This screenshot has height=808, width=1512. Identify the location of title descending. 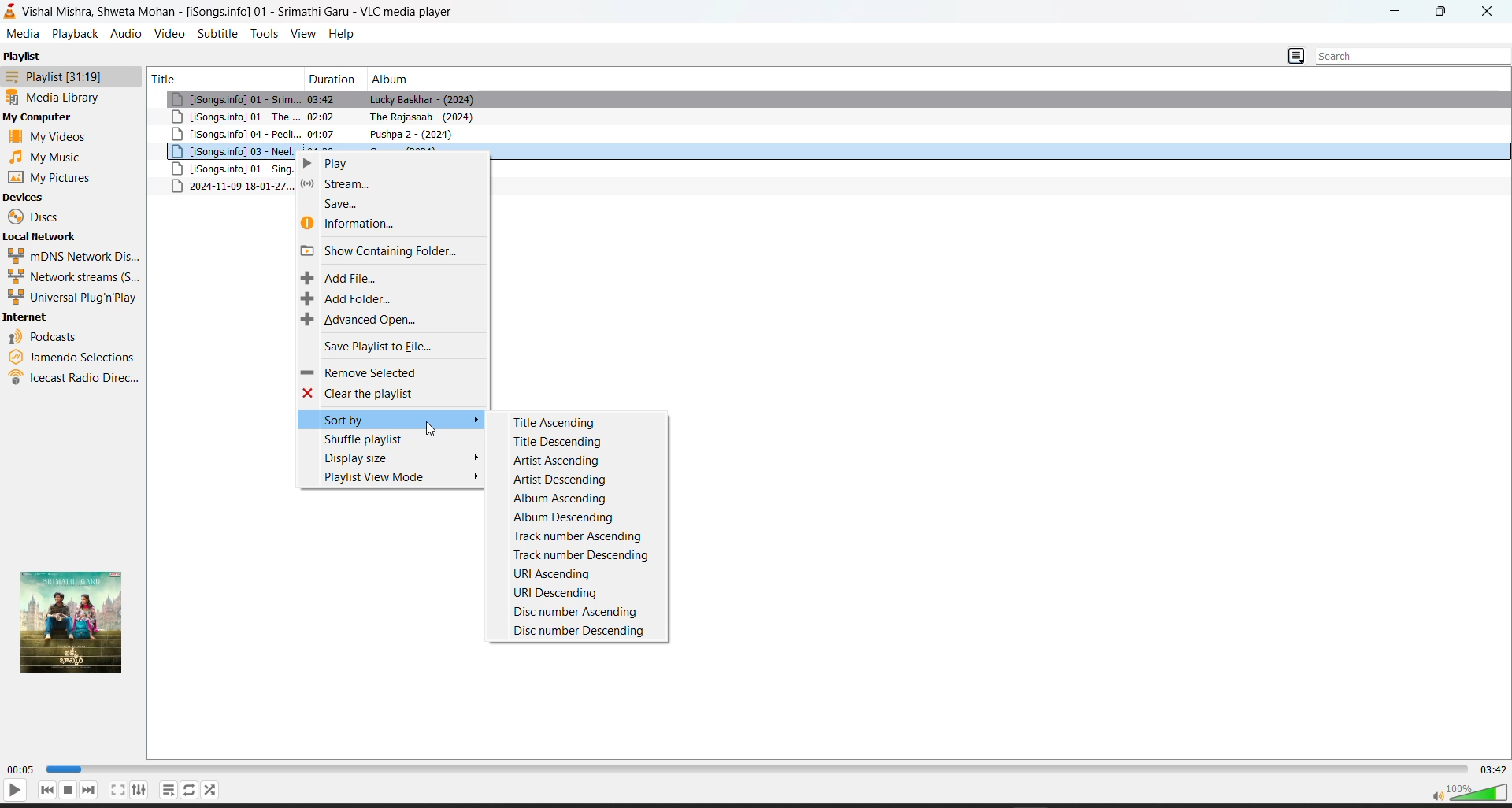
(577, 440).